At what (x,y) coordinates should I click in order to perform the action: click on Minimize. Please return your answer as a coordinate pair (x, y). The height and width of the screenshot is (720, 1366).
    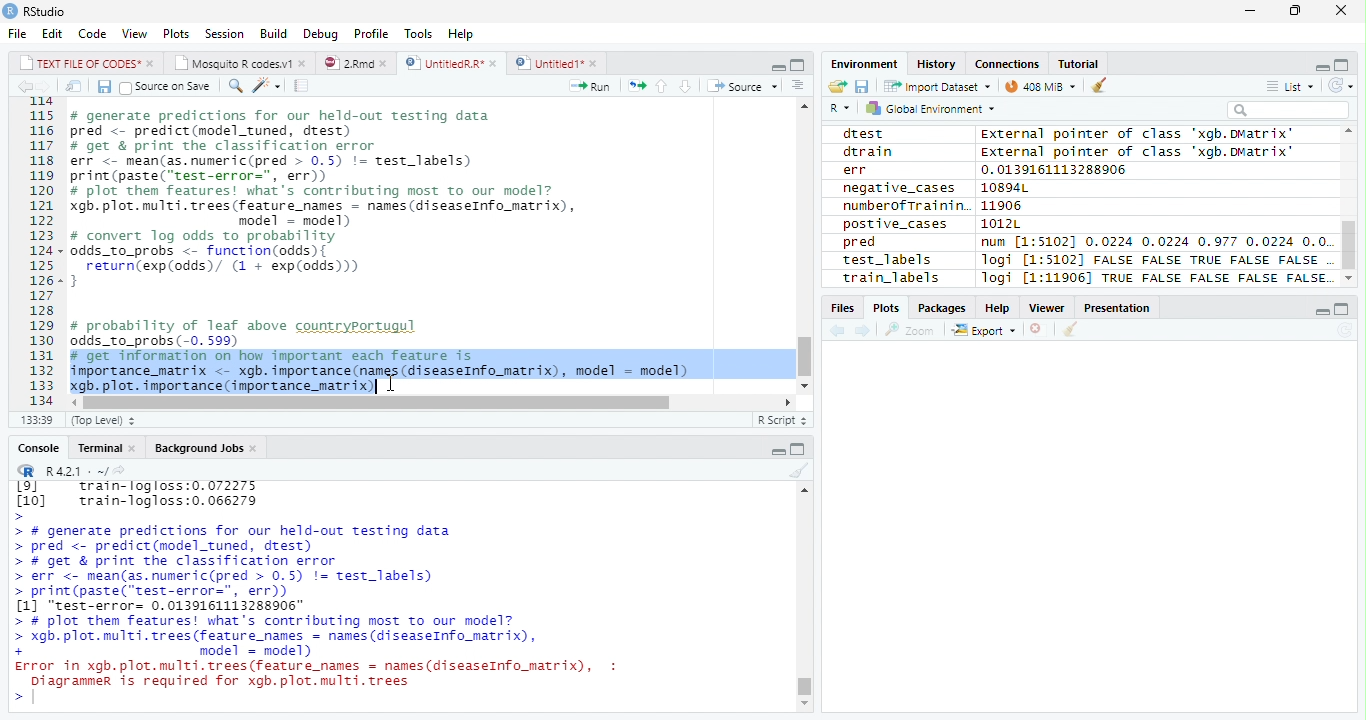
    Looking at the image, I should click on (1318, 65).